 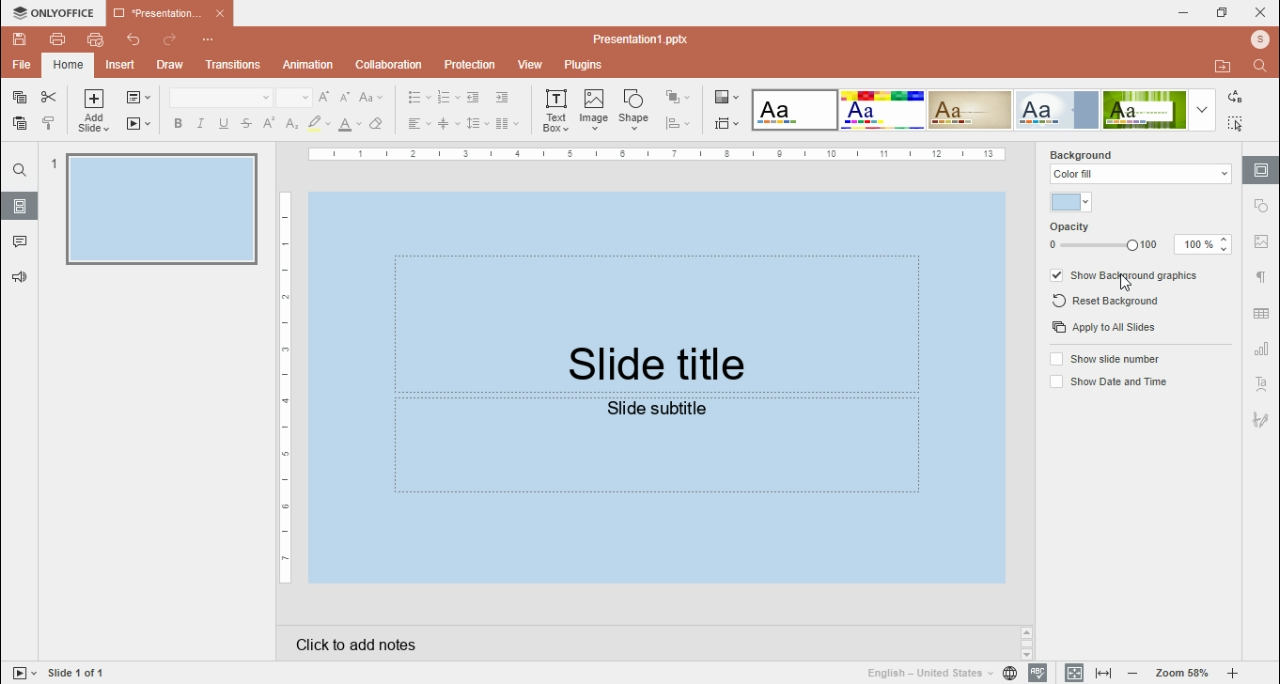 I want to click on increase indent, so click(x=501, y=98).